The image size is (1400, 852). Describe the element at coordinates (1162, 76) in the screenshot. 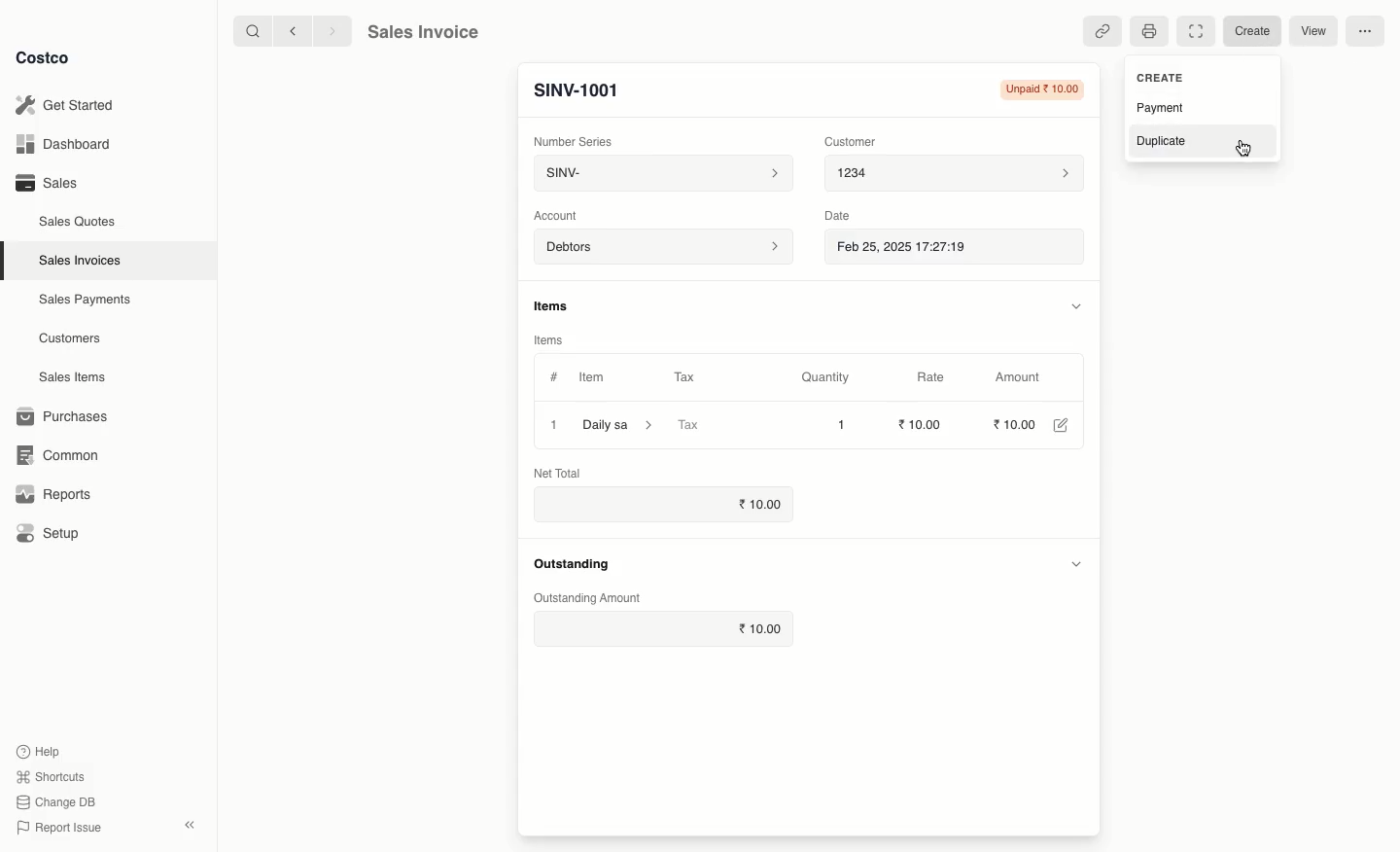

I see `CREATE` at that location.